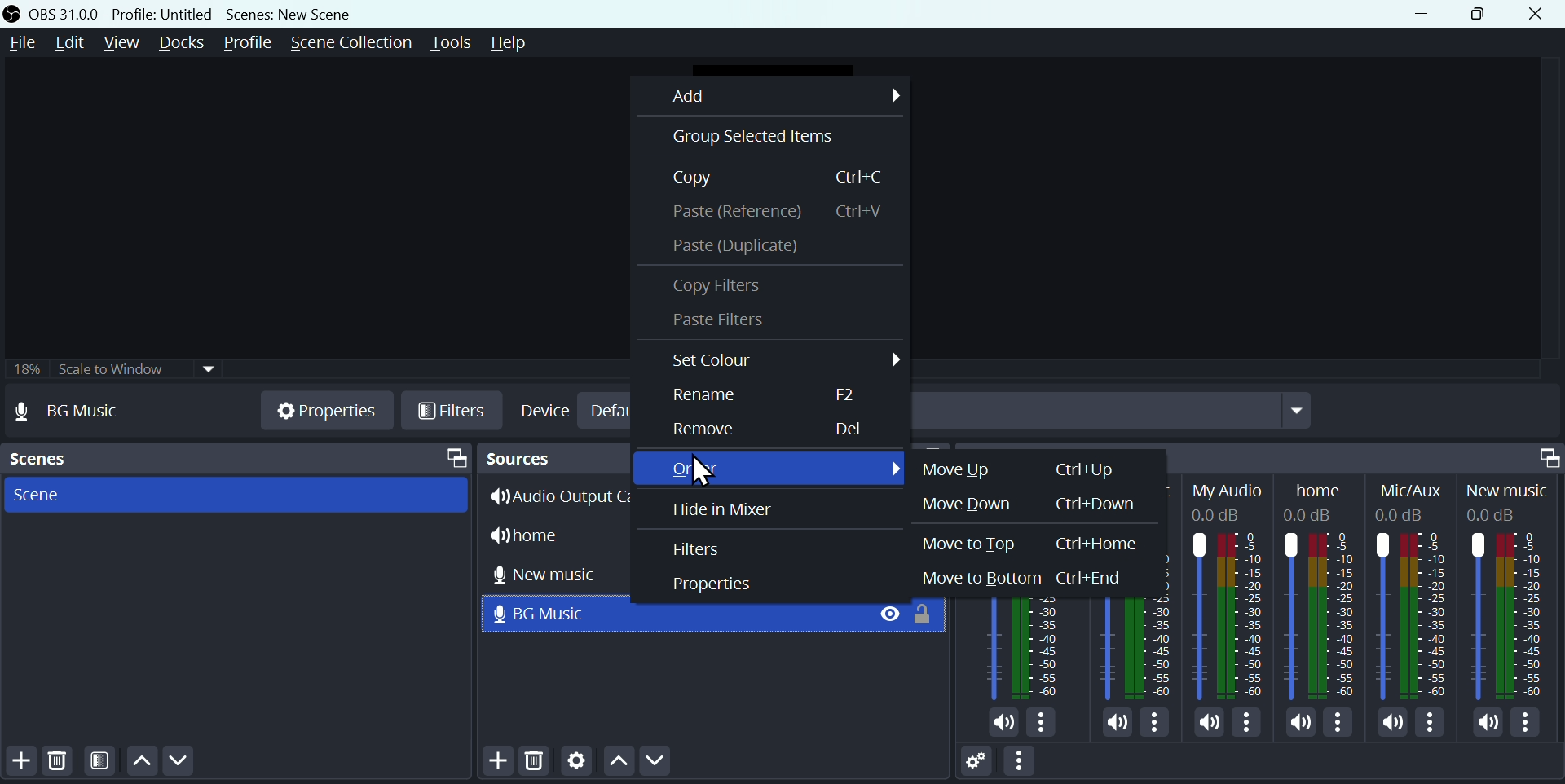 The width and height of the screenshot is (1565, 784). What do you see at coordinates (1340, 724) in the screenshot?
I see `More` at bounding box center [1340, 724].